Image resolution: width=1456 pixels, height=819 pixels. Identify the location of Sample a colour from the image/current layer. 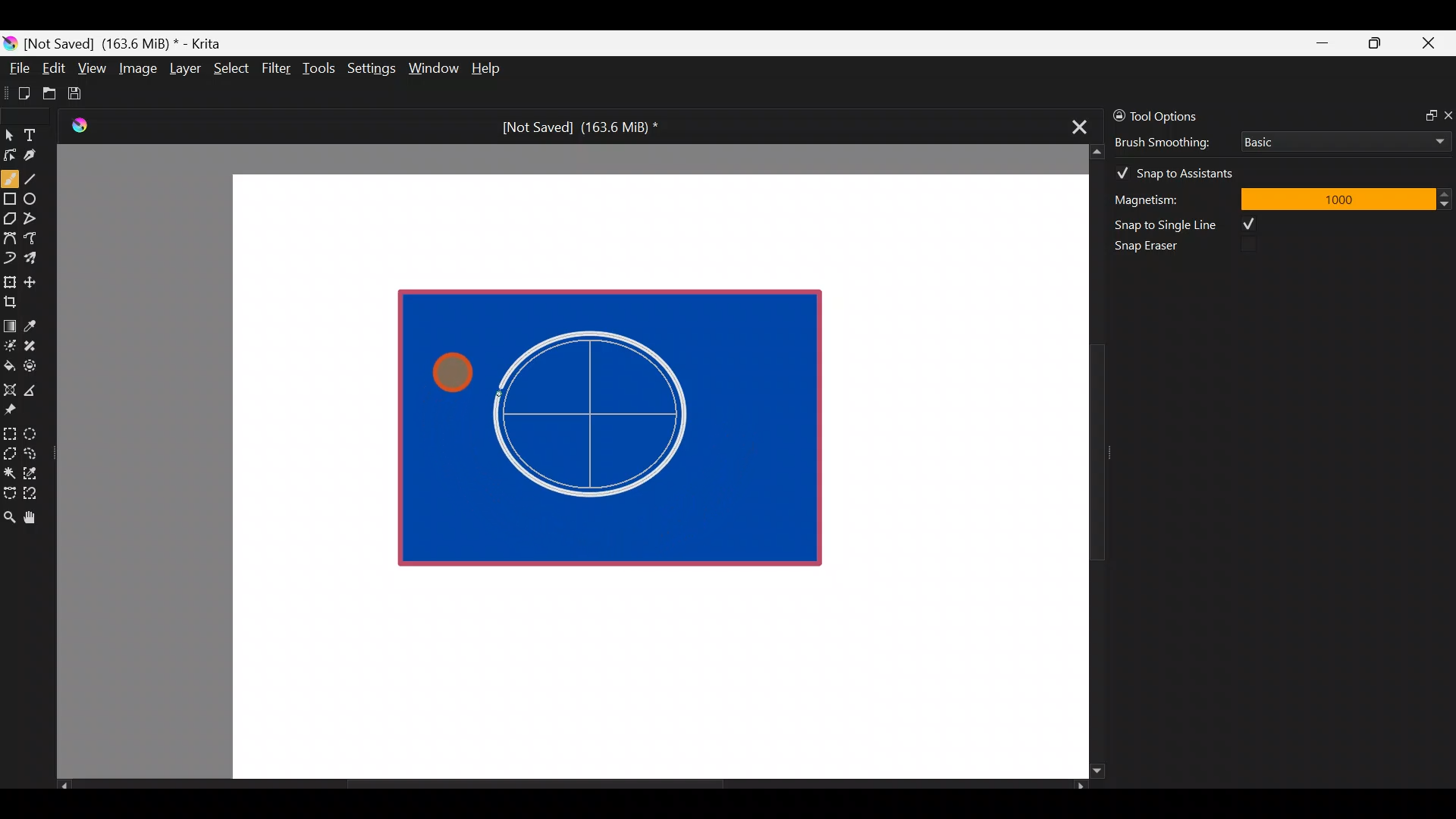
(36, 324).